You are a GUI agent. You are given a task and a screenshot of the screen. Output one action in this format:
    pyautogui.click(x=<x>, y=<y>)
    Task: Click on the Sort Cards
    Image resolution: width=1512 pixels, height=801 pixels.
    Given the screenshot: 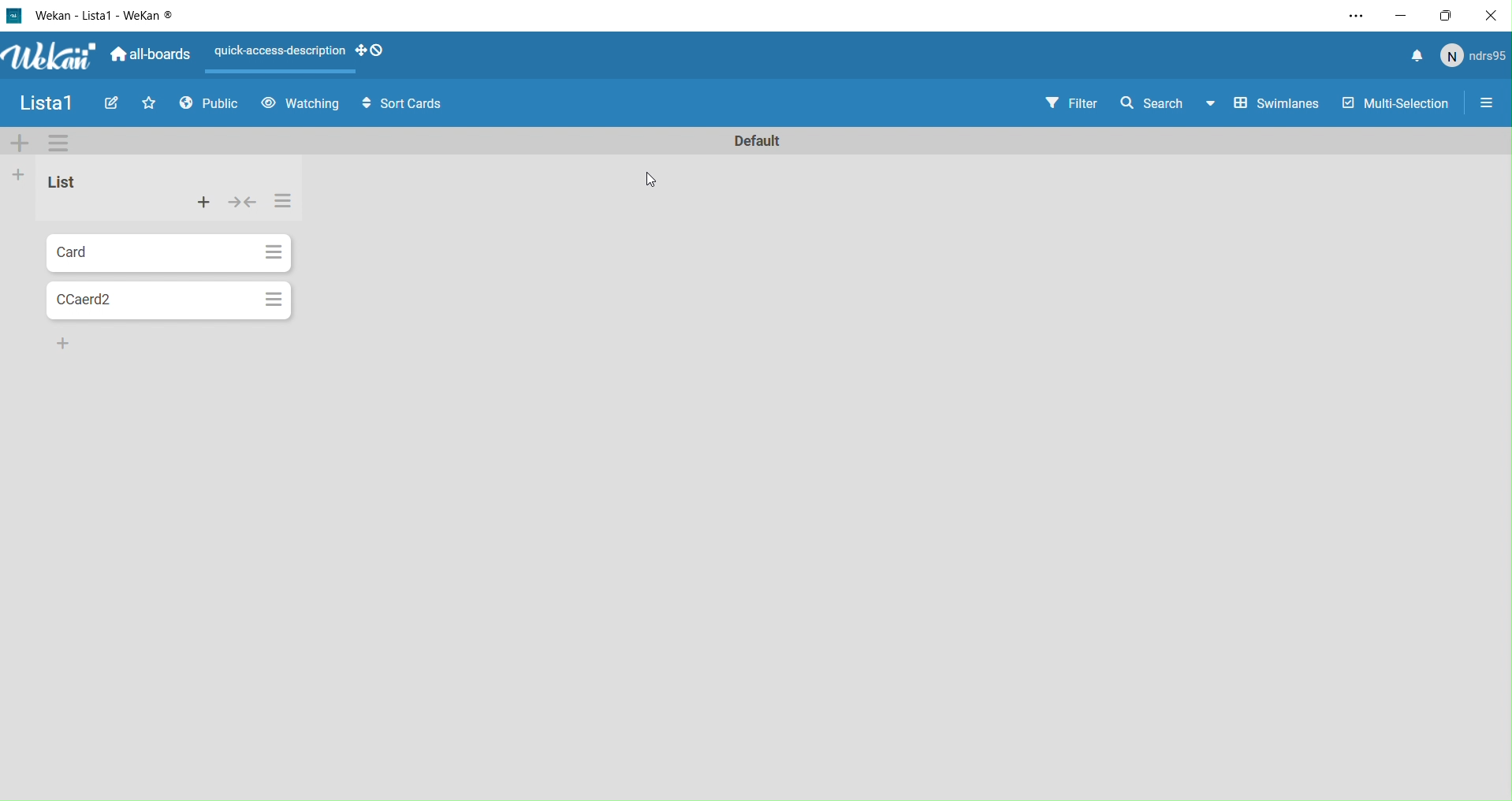 What is the action you would take?
    pyautogui.click(x=397, y=106)
    